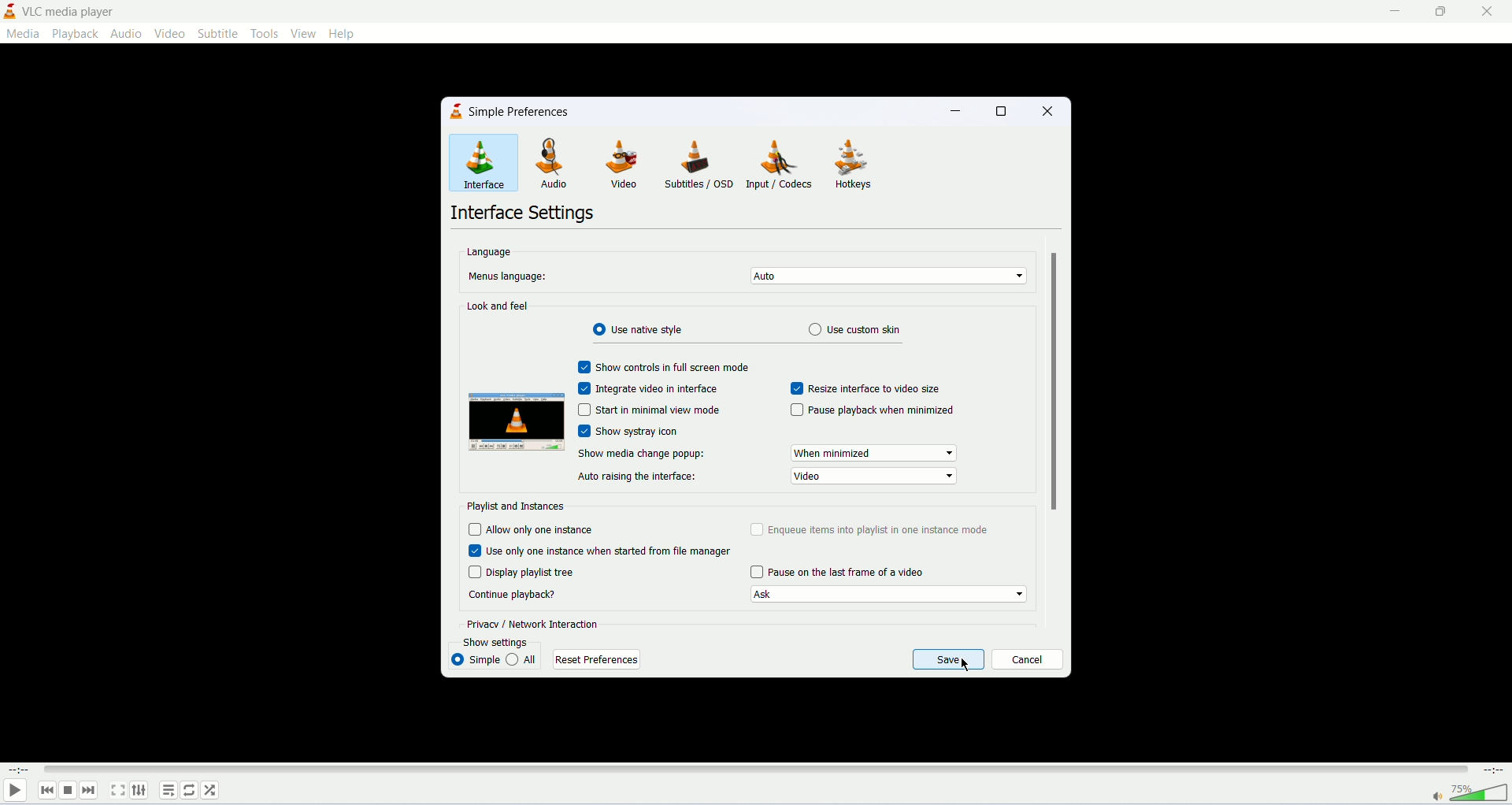 This screenshot has width=1512, height=805. What do you see at coordinates (68, 13) in the screenshot?
I see `vlc media player` at bounding box center [68, 13].